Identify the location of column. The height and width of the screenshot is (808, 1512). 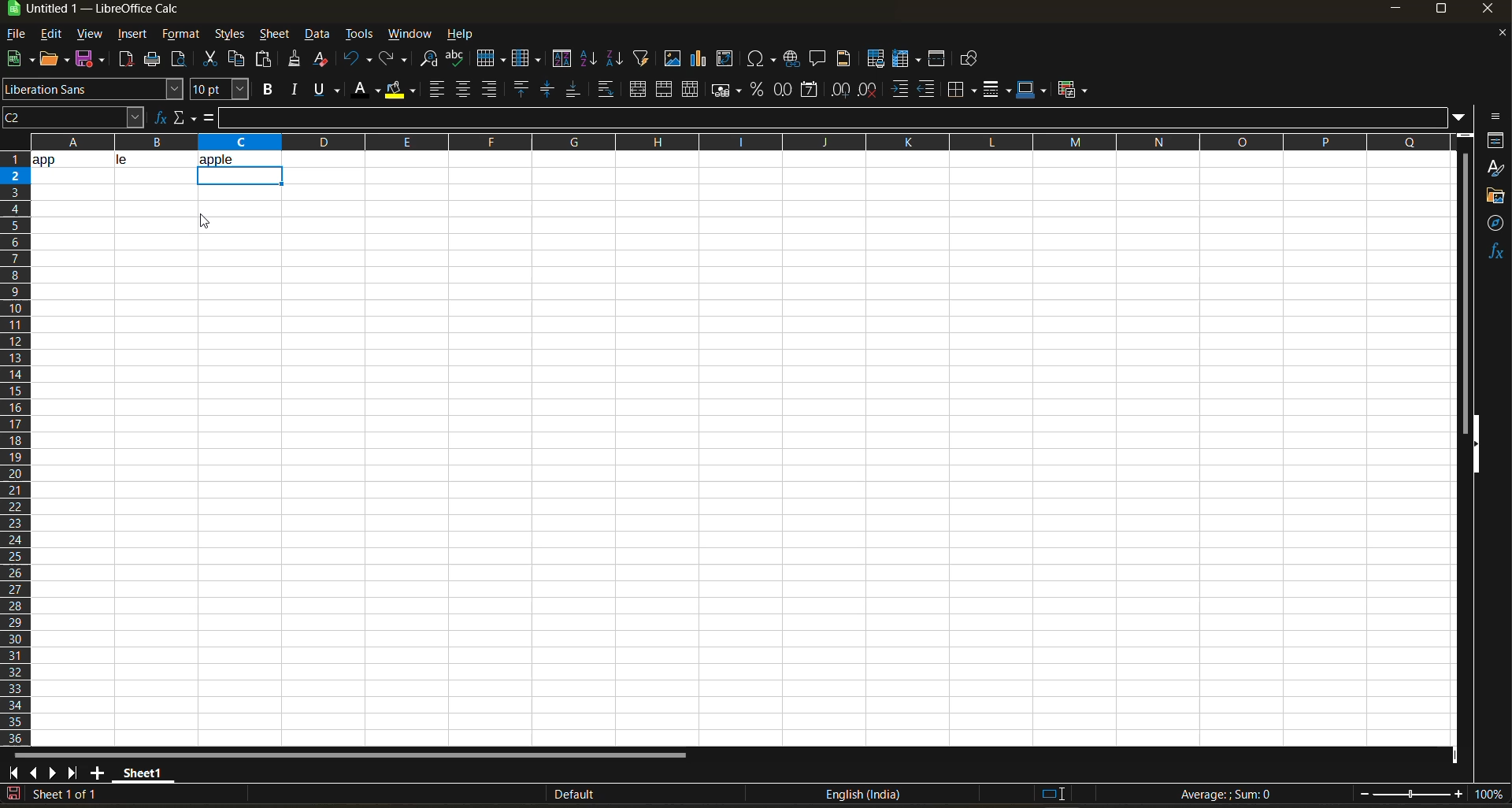
(528, 61).